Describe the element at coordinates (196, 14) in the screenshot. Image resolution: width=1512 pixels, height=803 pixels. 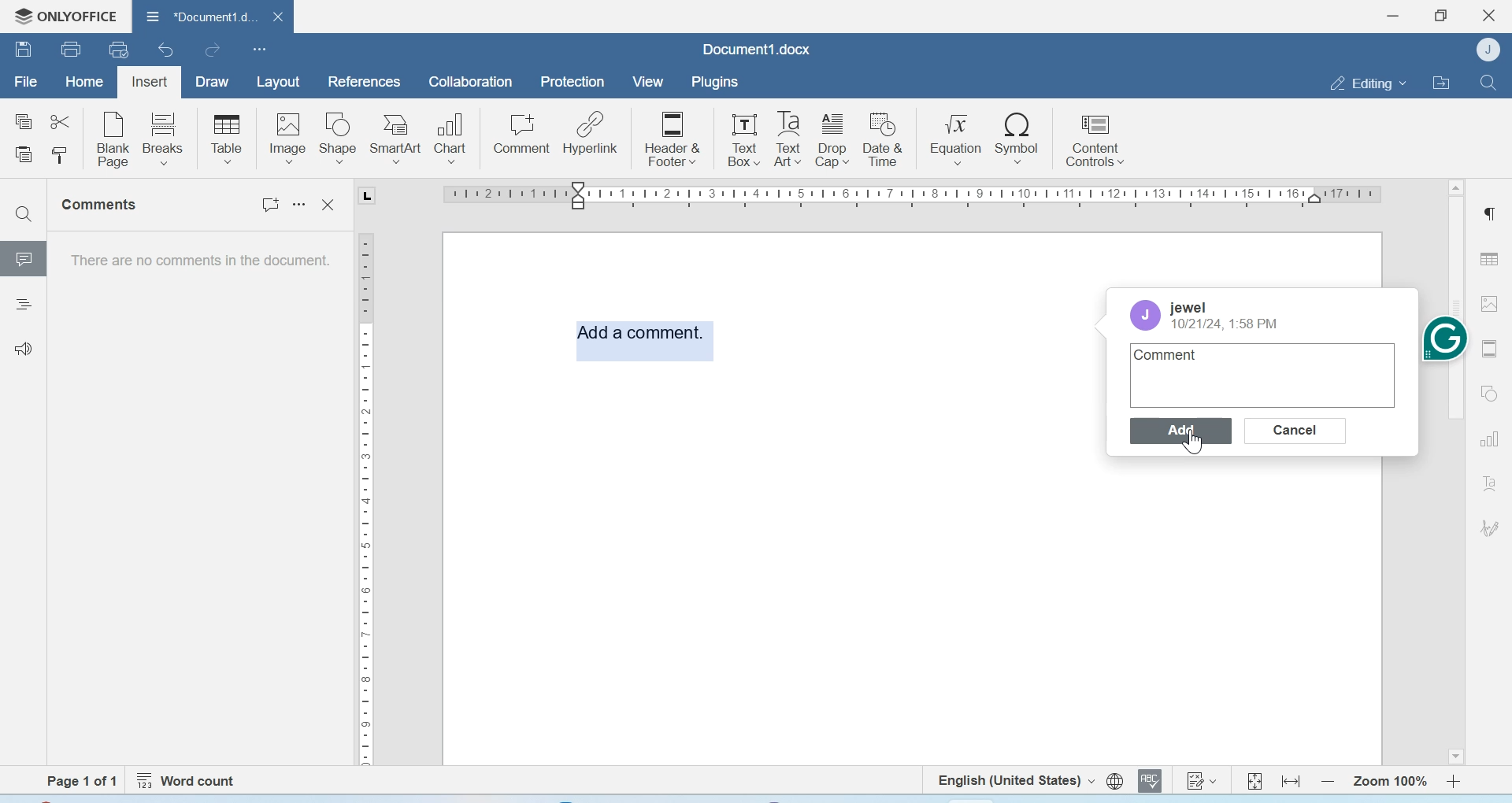
I see `Document1.docx` at that location.